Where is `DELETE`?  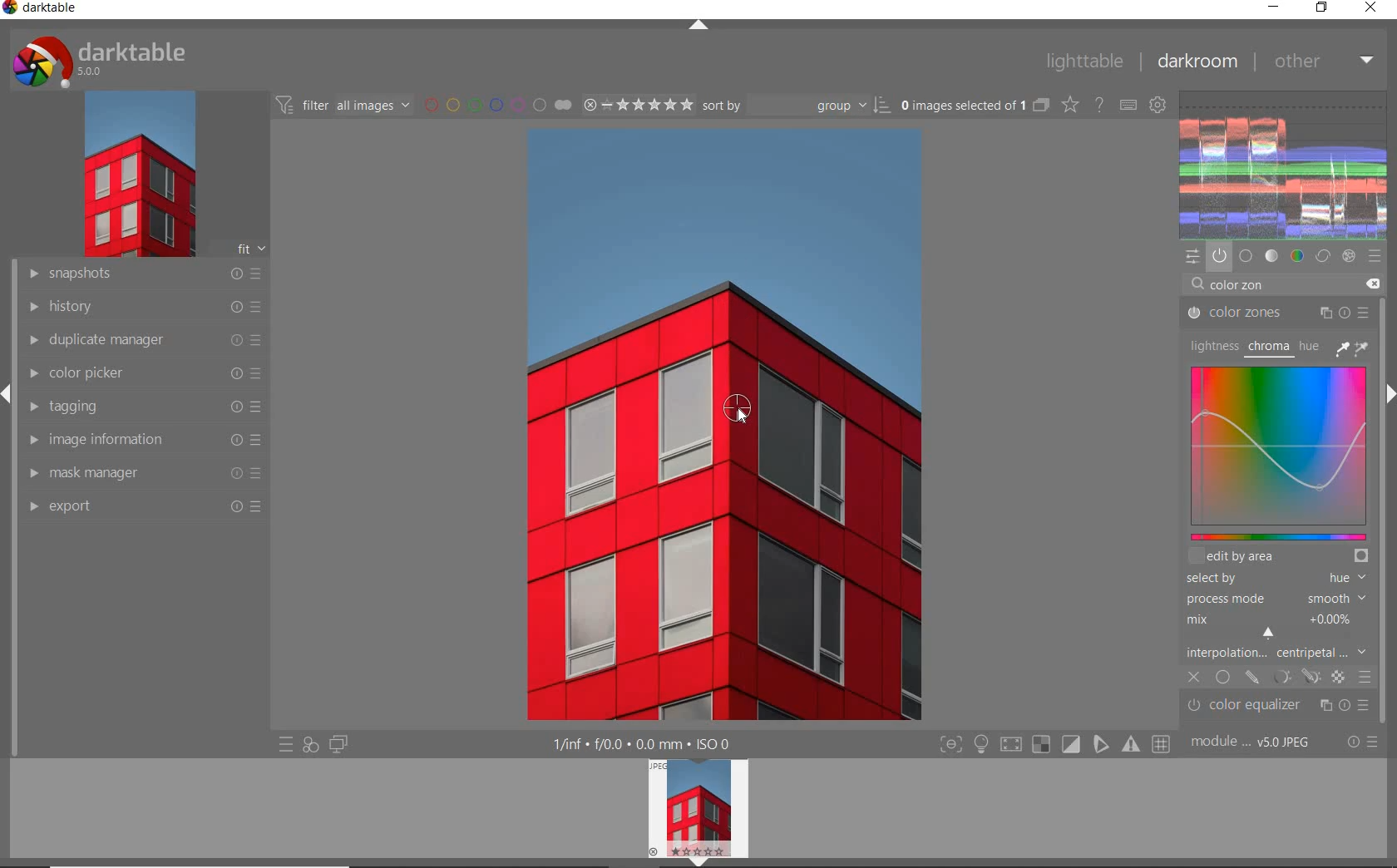 DELETE is located at coordinates (1372, 283).